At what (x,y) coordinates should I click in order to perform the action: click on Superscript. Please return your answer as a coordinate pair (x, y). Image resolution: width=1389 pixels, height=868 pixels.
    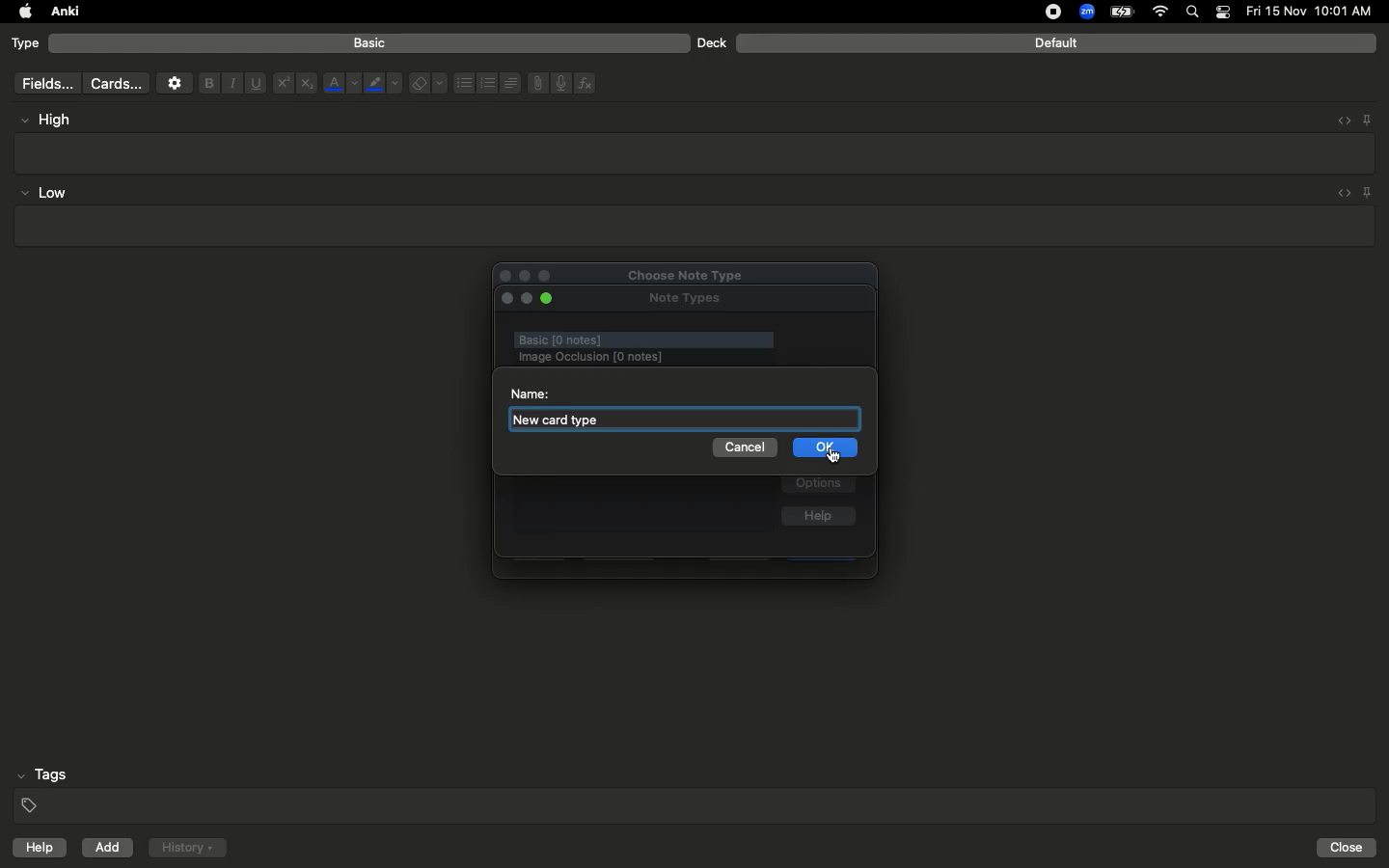
    Looking at the image, I should click on (282, 84).